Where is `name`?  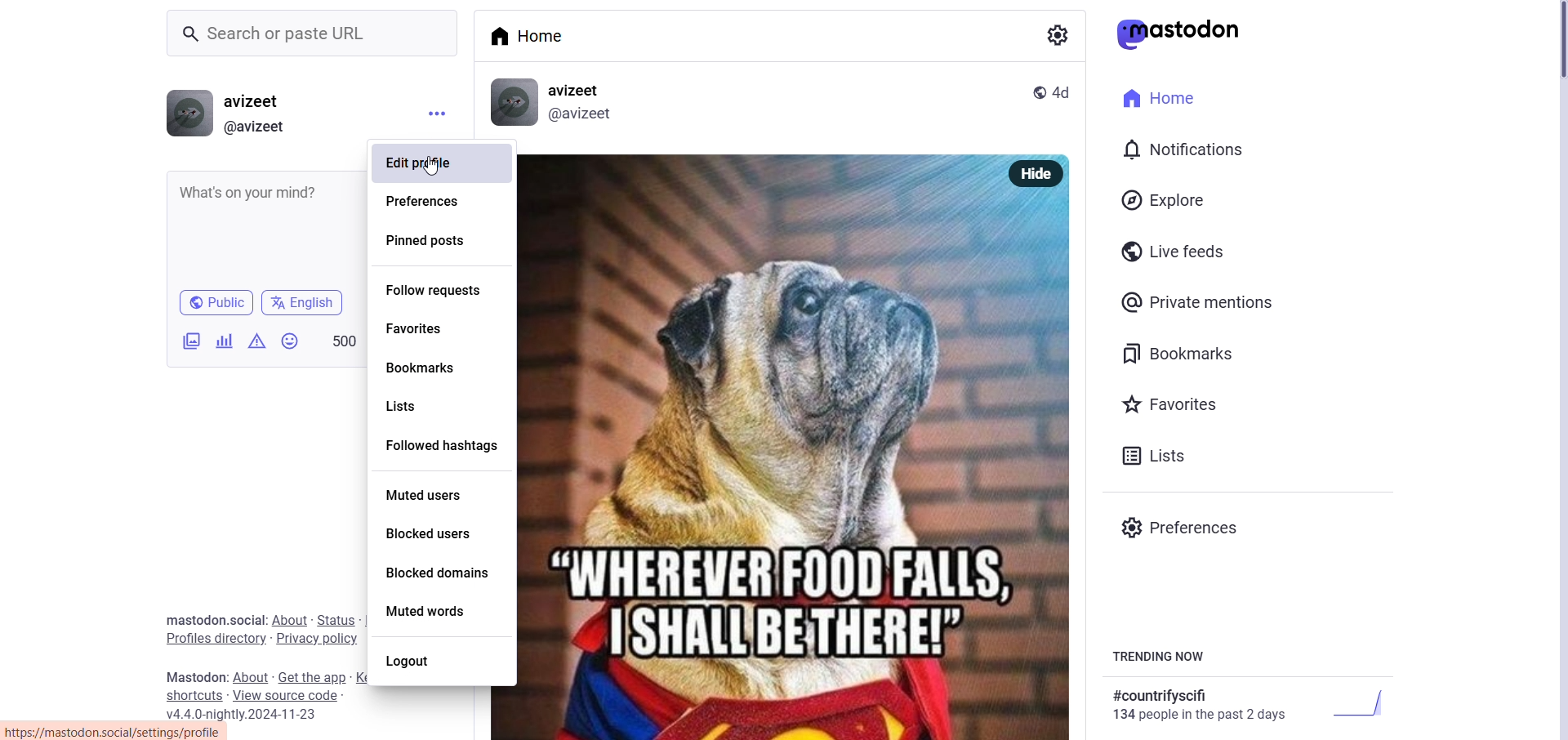
name is located at coordinates (256, 100).